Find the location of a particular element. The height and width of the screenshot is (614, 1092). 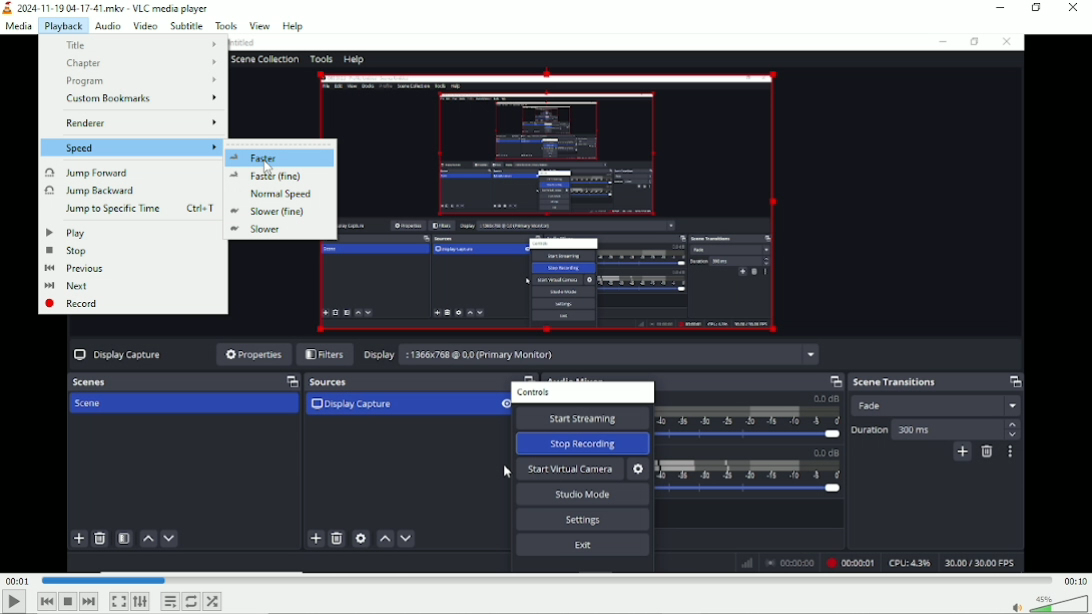

renderer is located at coordinates (134, 122).